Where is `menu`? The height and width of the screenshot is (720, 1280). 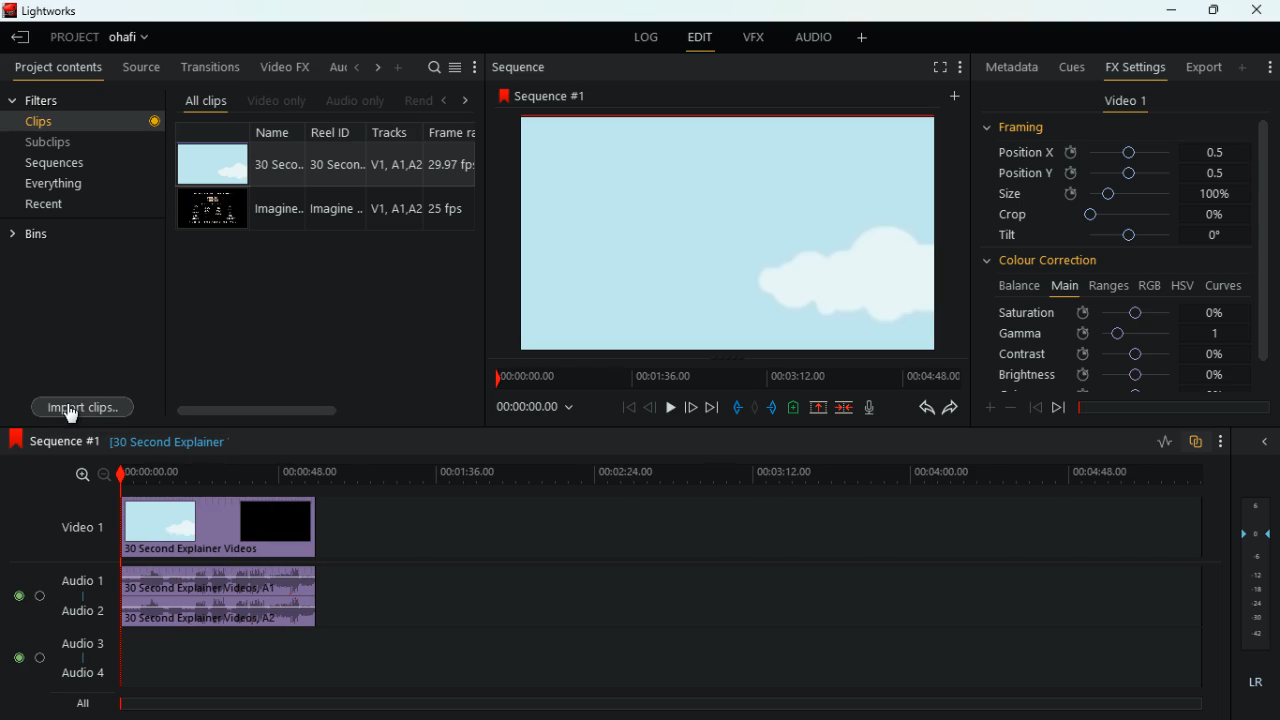
menu is located at coordinates (455, 67).